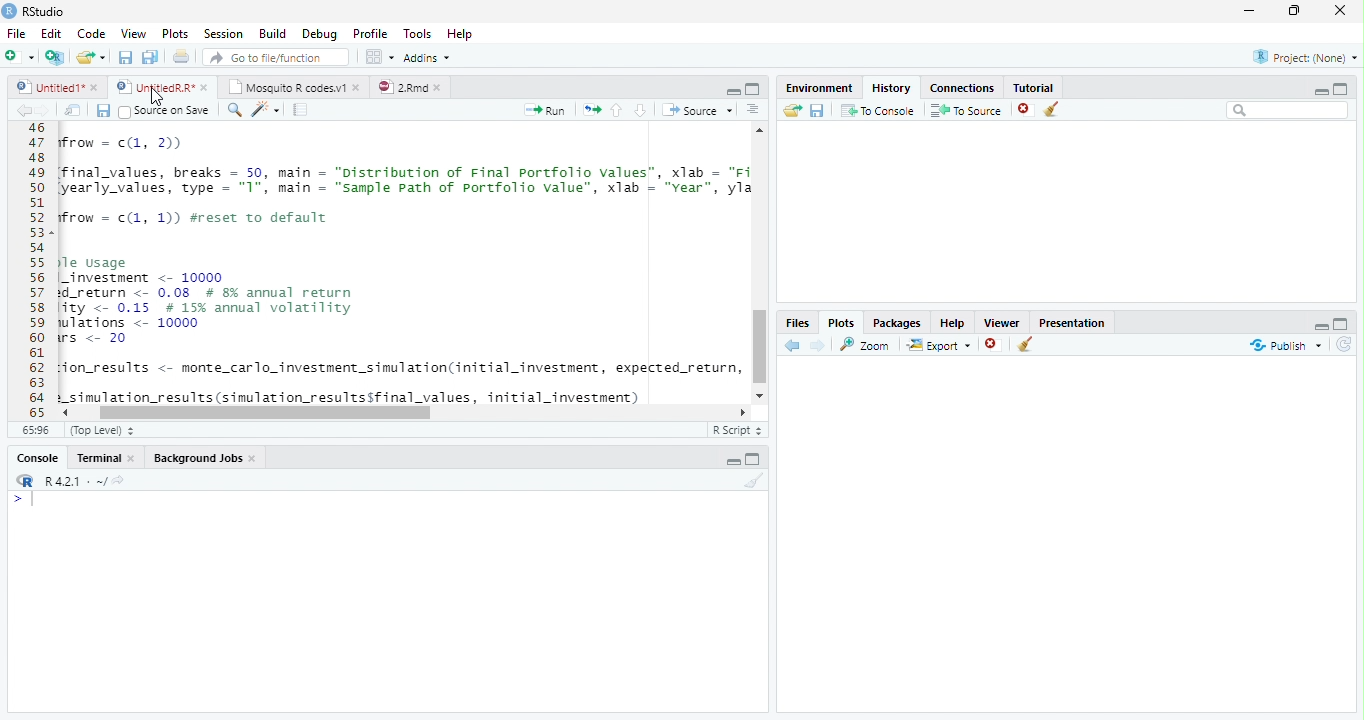 This screenshot has height=720, width=1364. What do you see at coordinates (1026, 346) in the screenshot?
I see `Clear` at bounding box center [1026, 346].